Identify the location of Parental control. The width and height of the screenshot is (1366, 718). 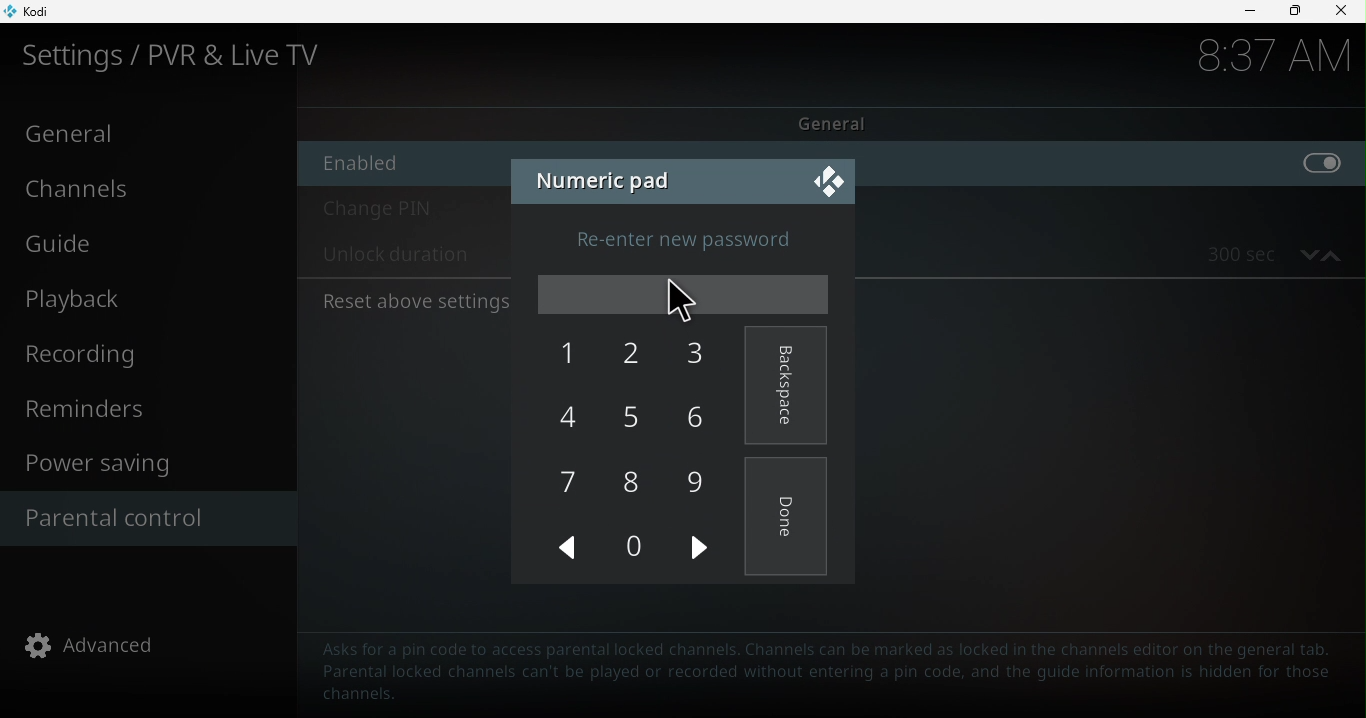
(142, 517).